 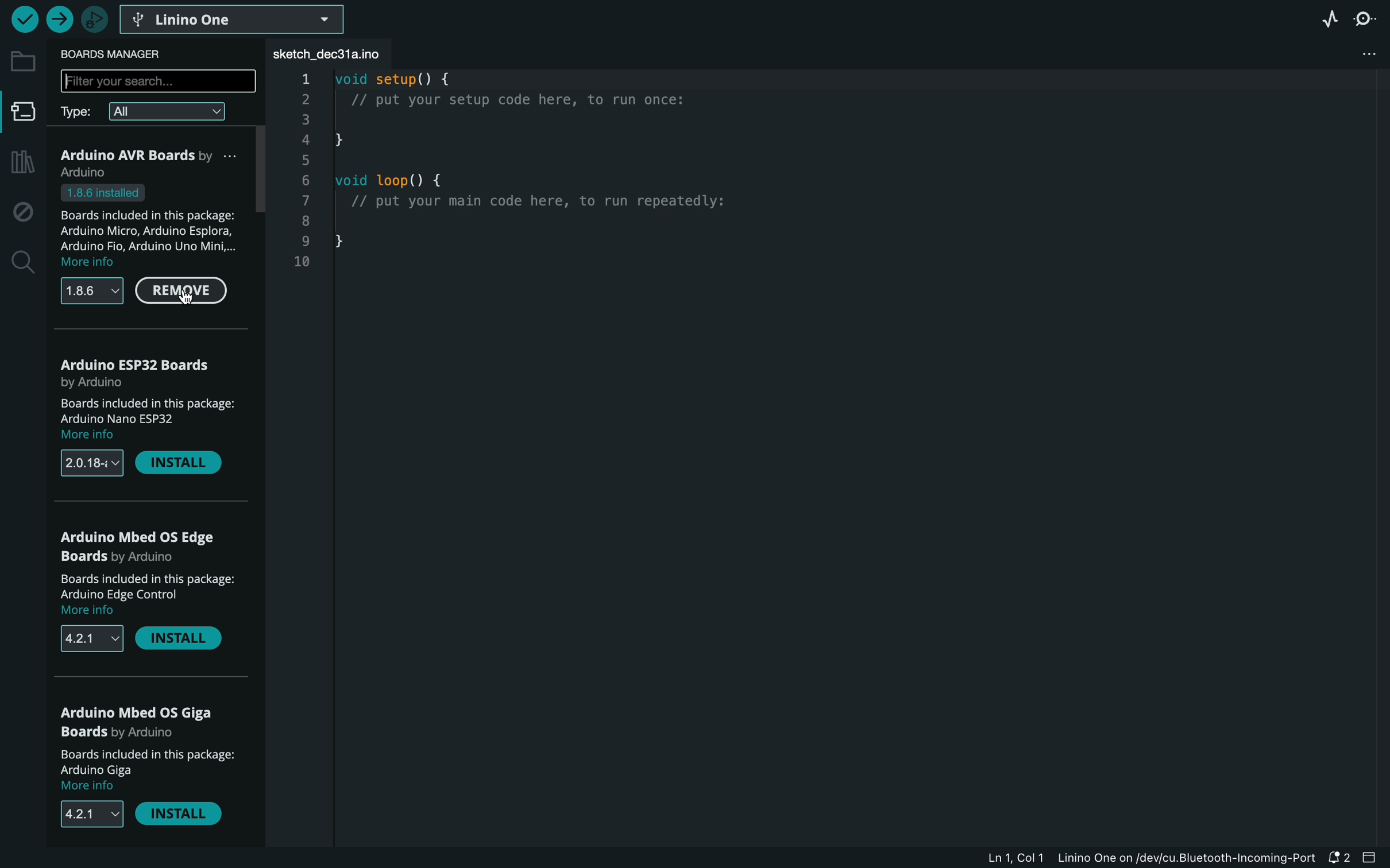 I want to click on search, so click(x=21, y=261).